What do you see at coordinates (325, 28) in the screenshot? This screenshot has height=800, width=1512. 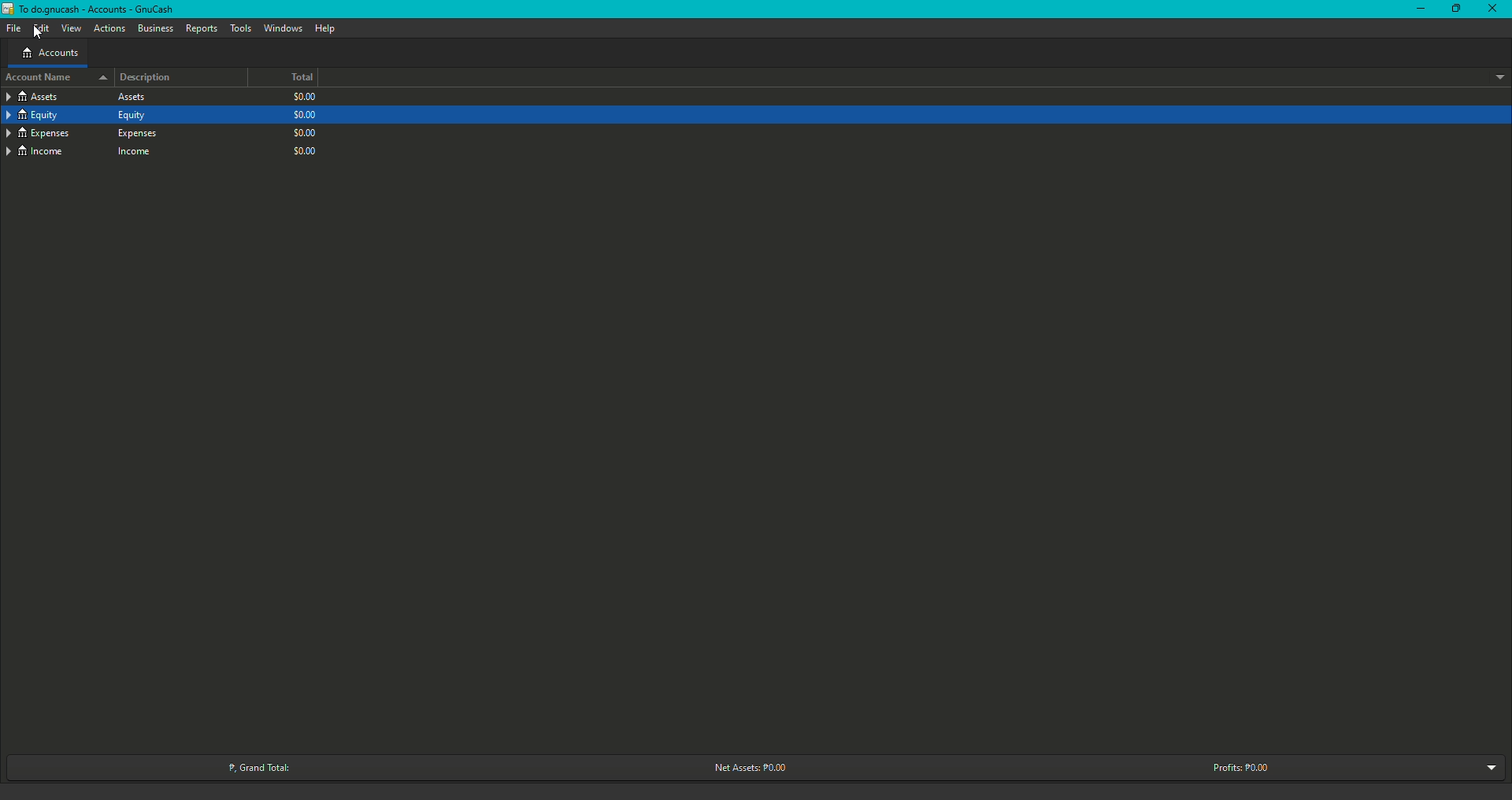 I see `Help` at bounding box center [325, 28].